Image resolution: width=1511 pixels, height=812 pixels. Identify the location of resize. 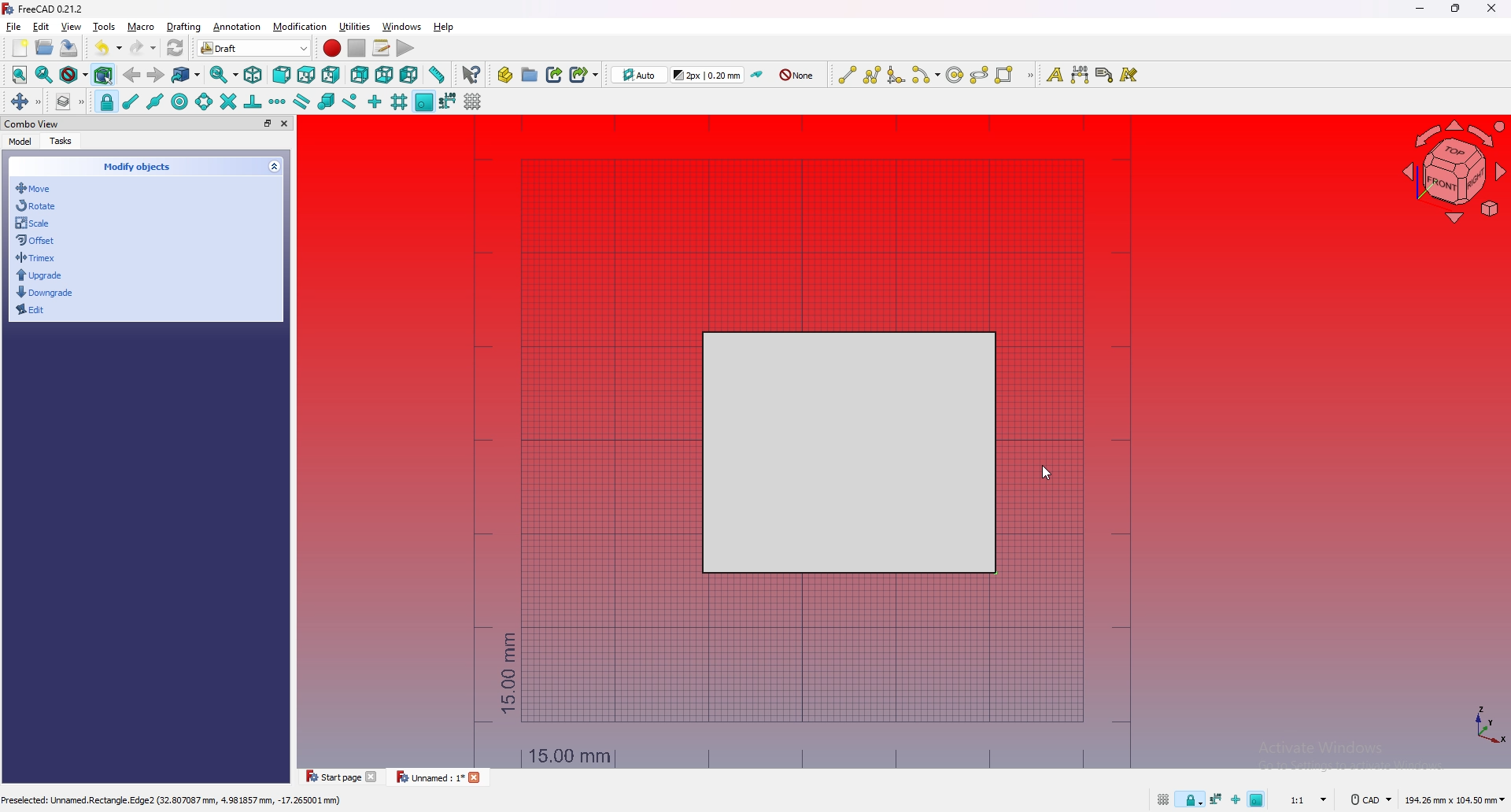
(1455, 9).